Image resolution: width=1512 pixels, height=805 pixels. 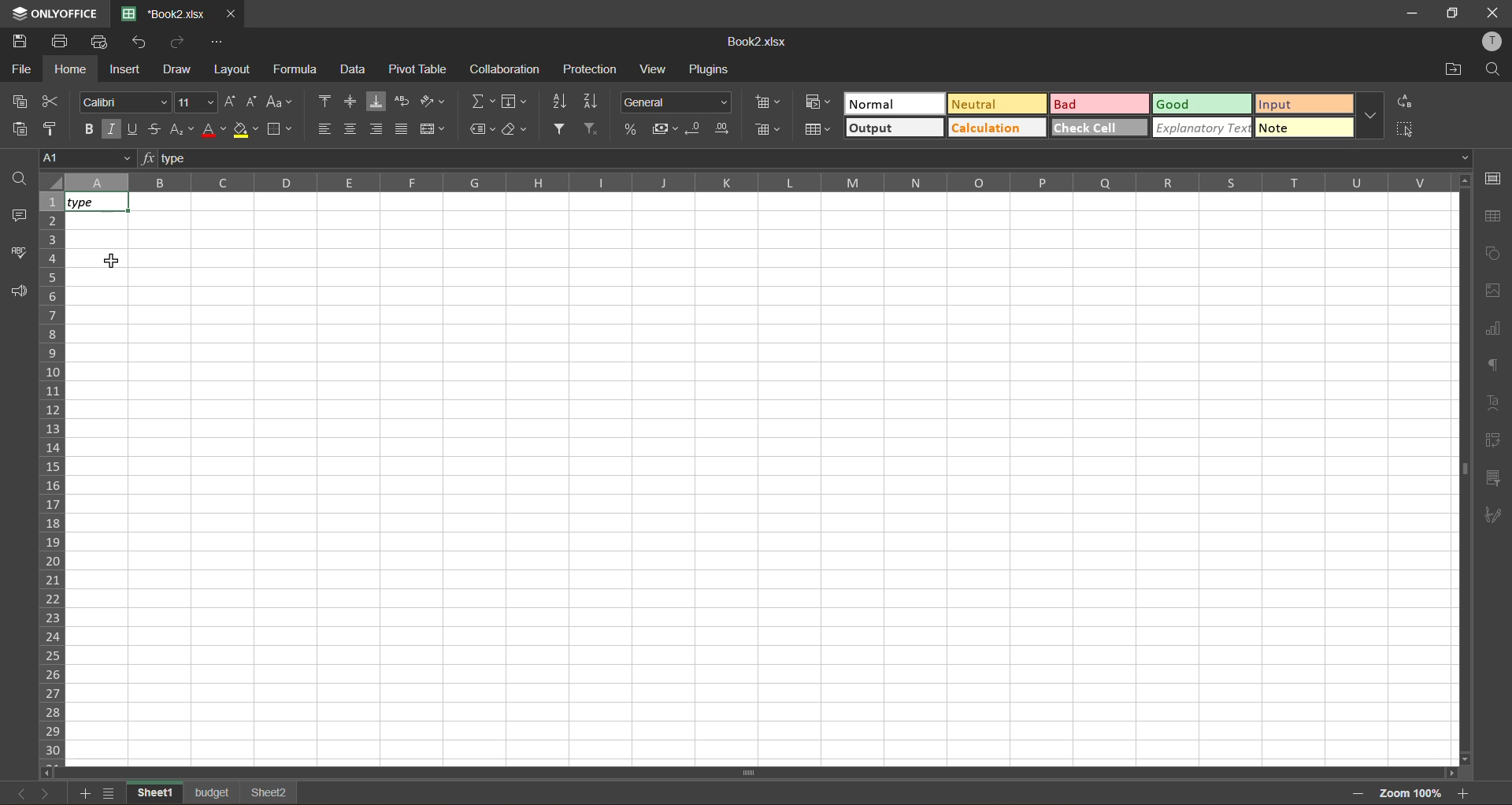 What do you see at coordinates (156, 127) in the screenshot?
I see `strikethrough` at bounding box center [156, 127].